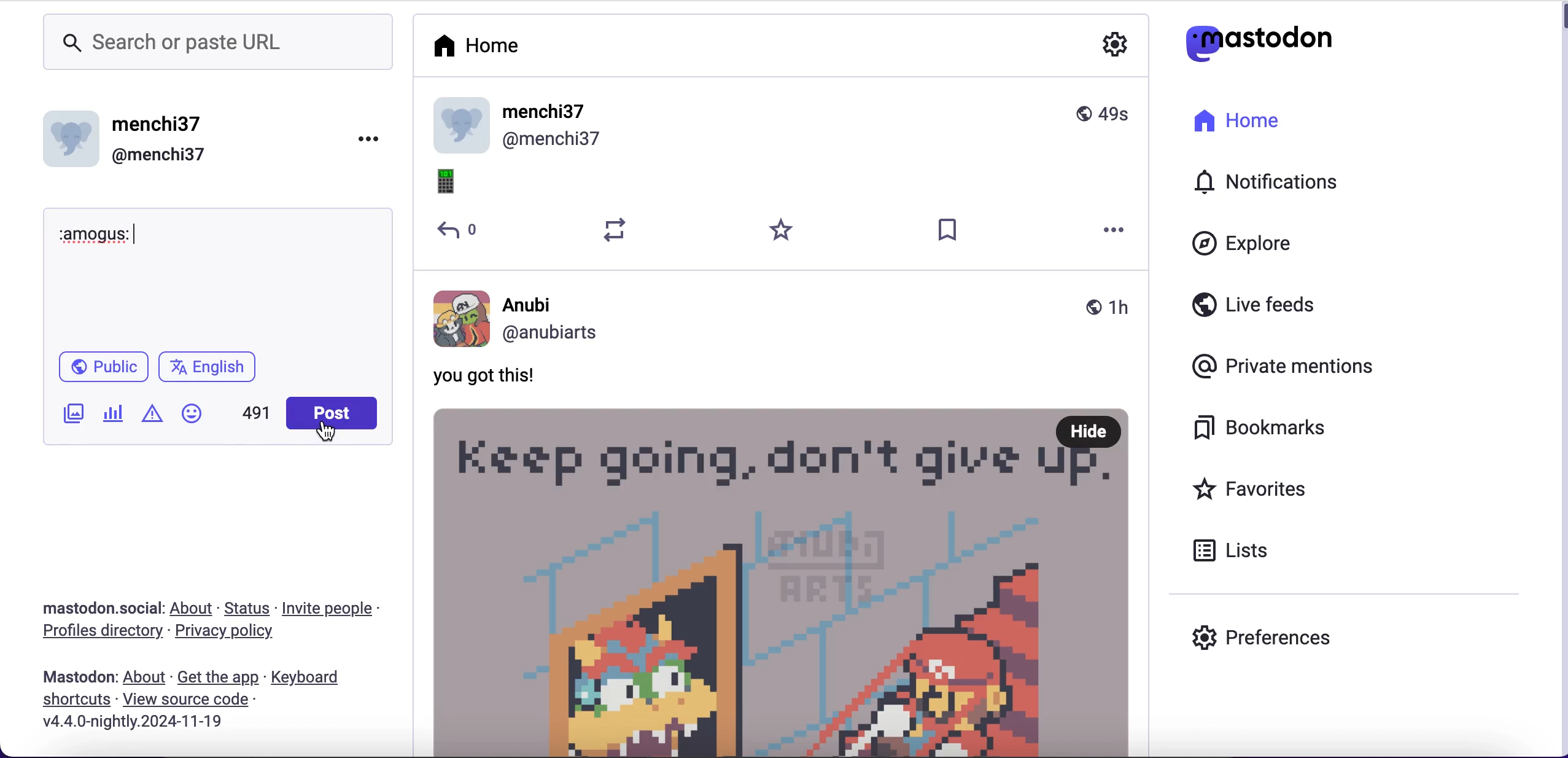 This screenshot has height=758, width=1568. What do you see at coordinates (1116, 231) in the screenshot?
I see `more options` at bounding box center [1116, 231].